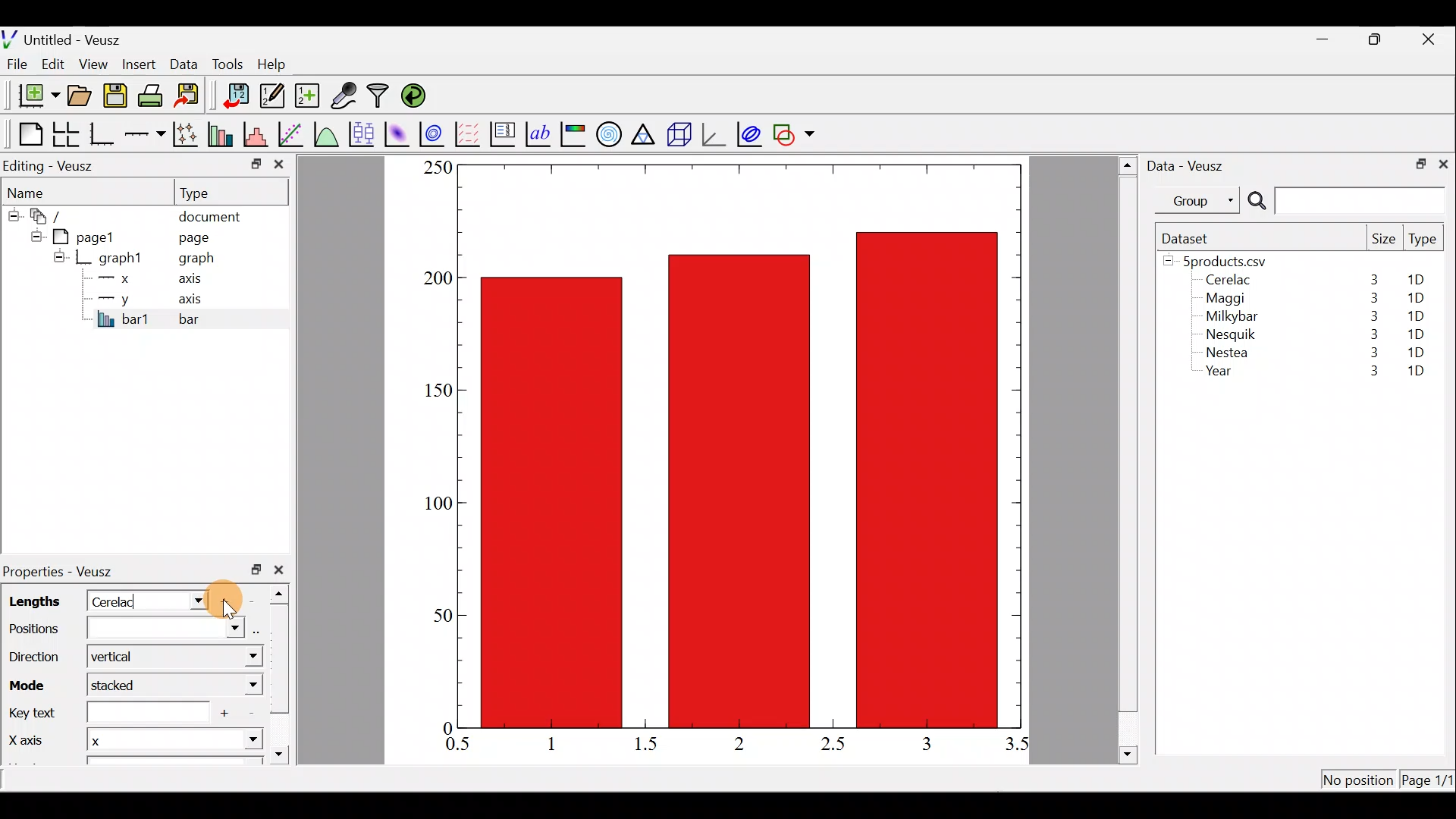  I want to click on Plot key, so click(504, 133).